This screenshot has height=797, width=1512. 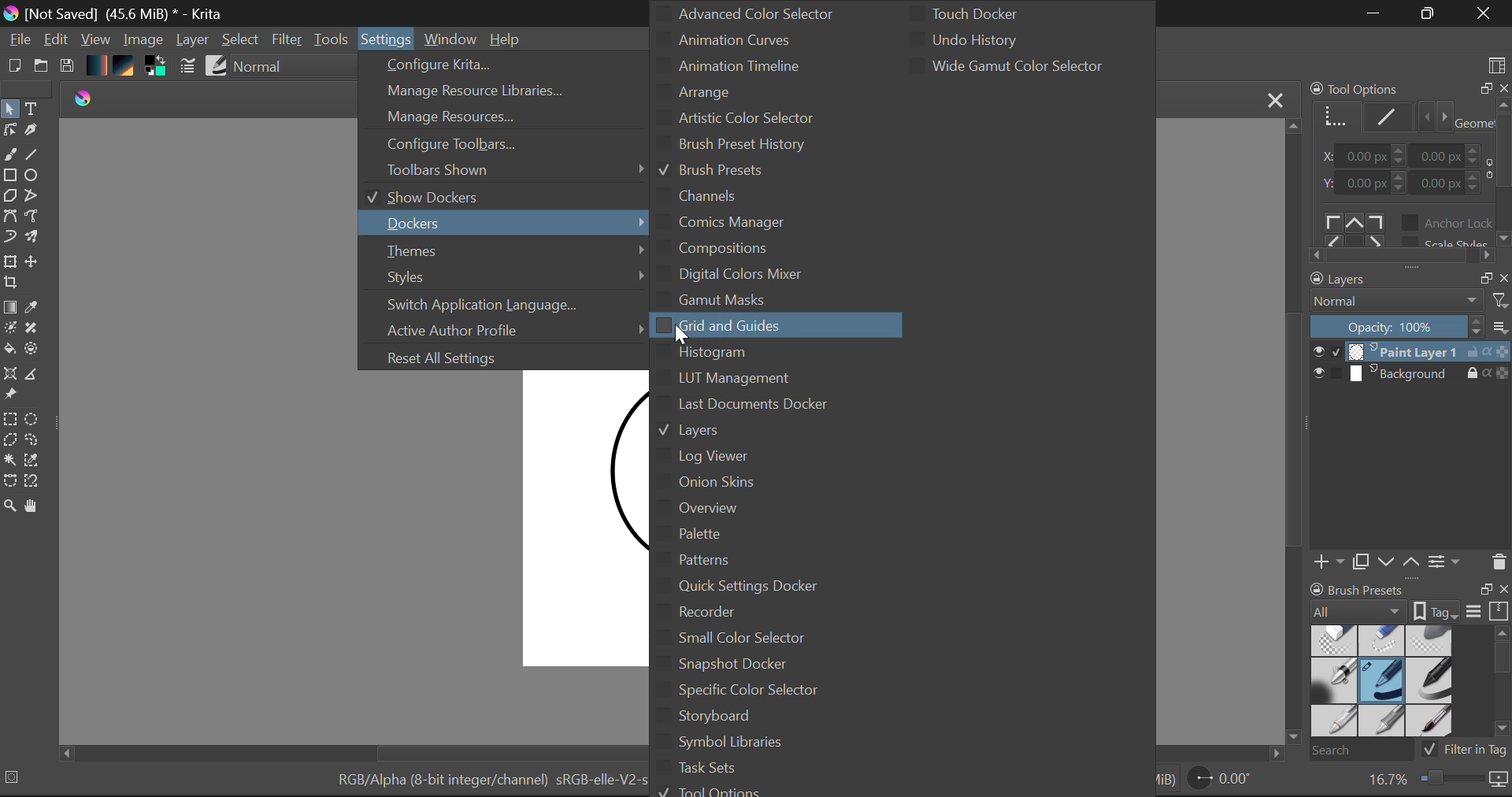 I want to click on Polygon Selection, so click(x=10, y=441).